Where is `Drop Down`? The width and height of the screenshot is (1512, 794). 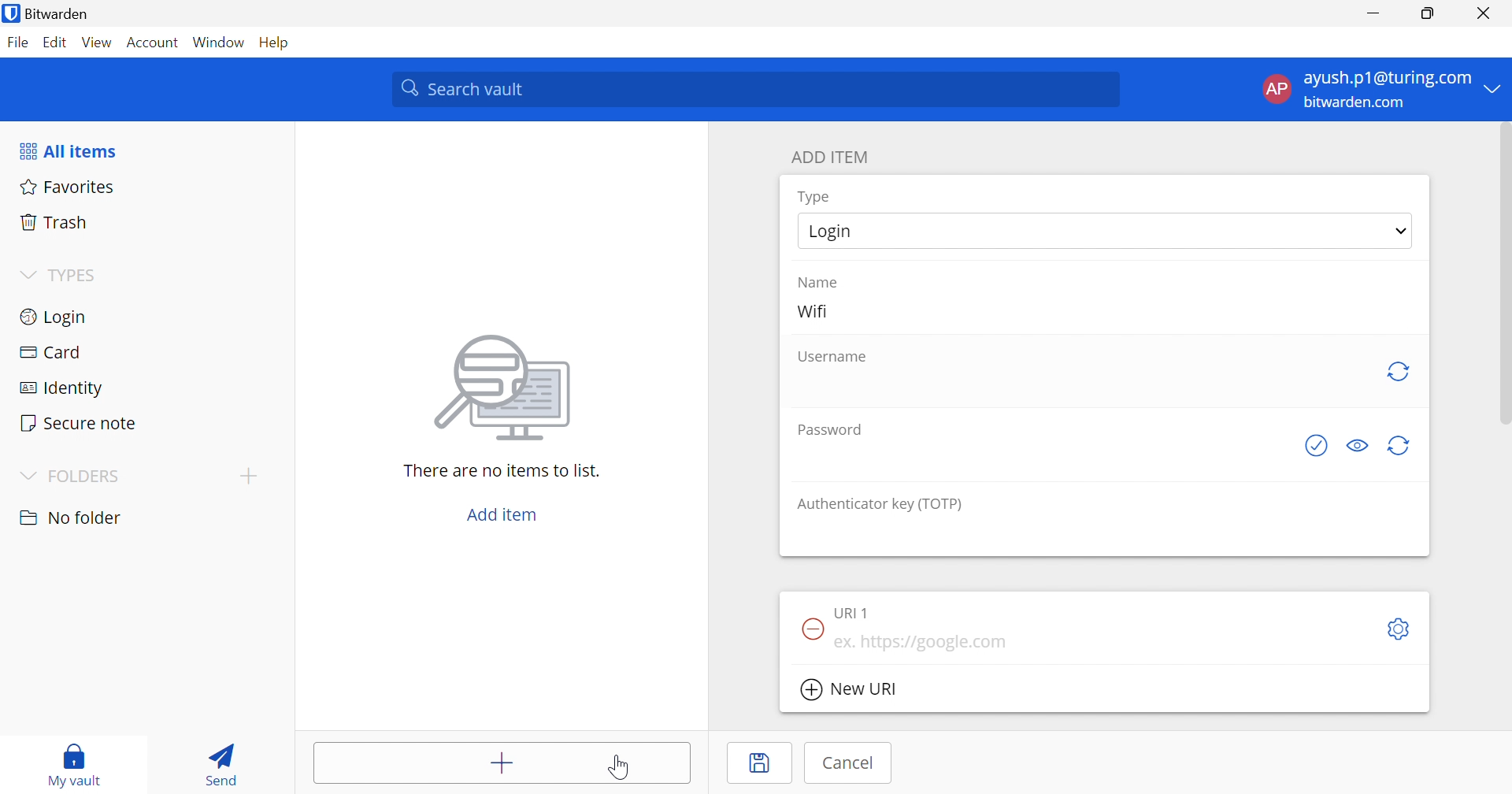 Drop Down is located at coordinates (27, 276).